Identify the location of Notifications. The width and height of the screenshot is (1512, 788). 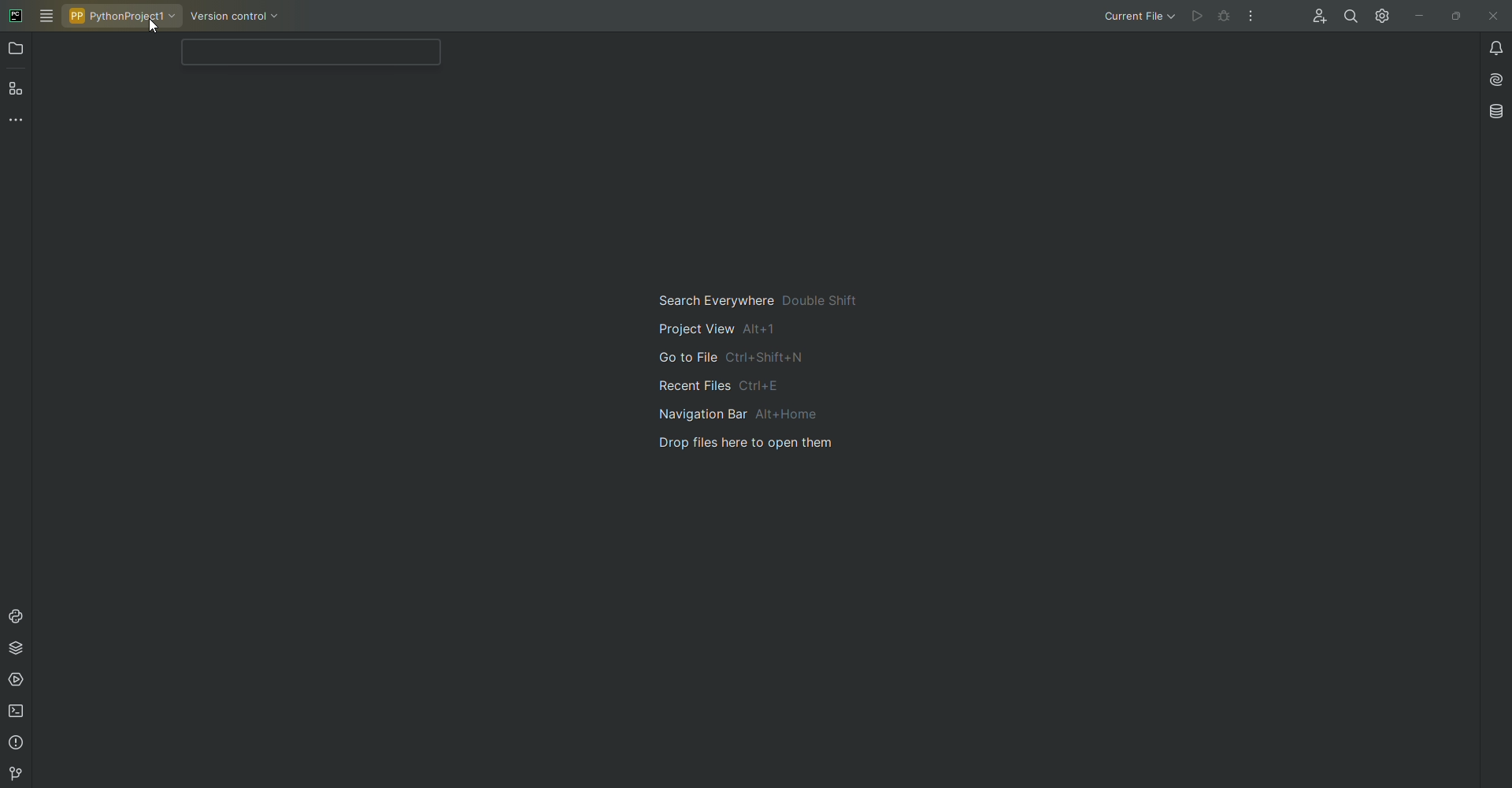
(1492, 48).